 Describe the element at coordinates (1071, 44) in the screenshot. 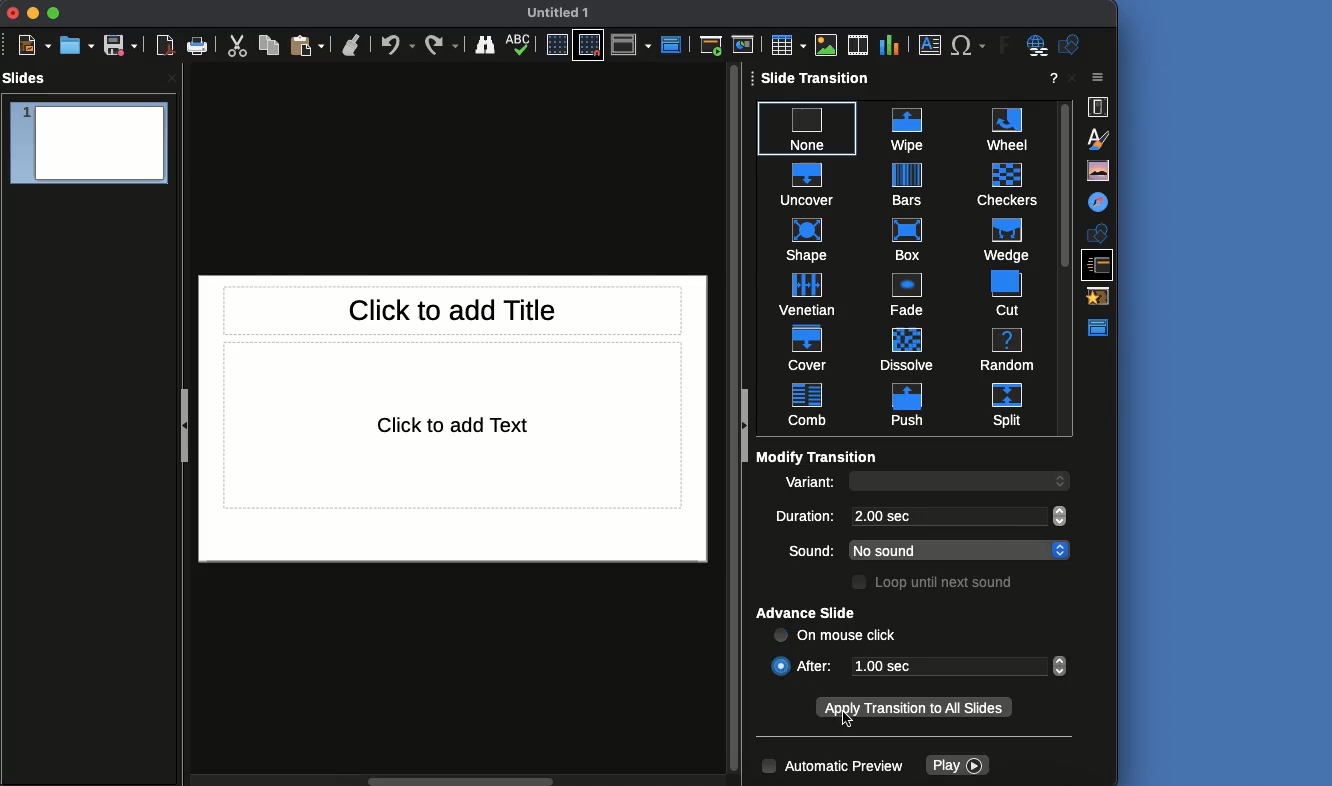

I see `Shapes` at that location.